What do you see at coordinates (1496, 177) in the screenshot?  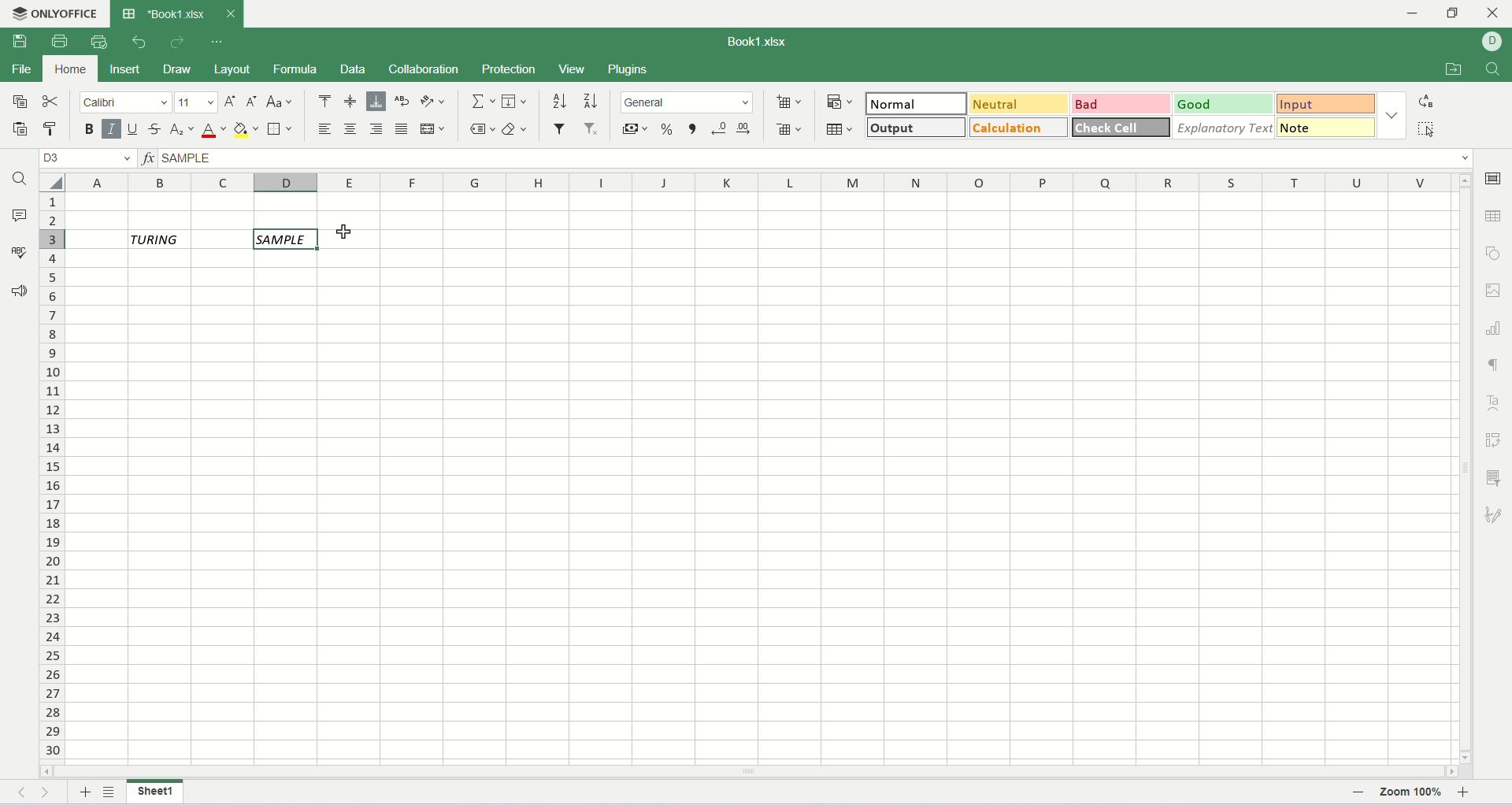 I see `cell settings` at bounding box center [1496, 177].